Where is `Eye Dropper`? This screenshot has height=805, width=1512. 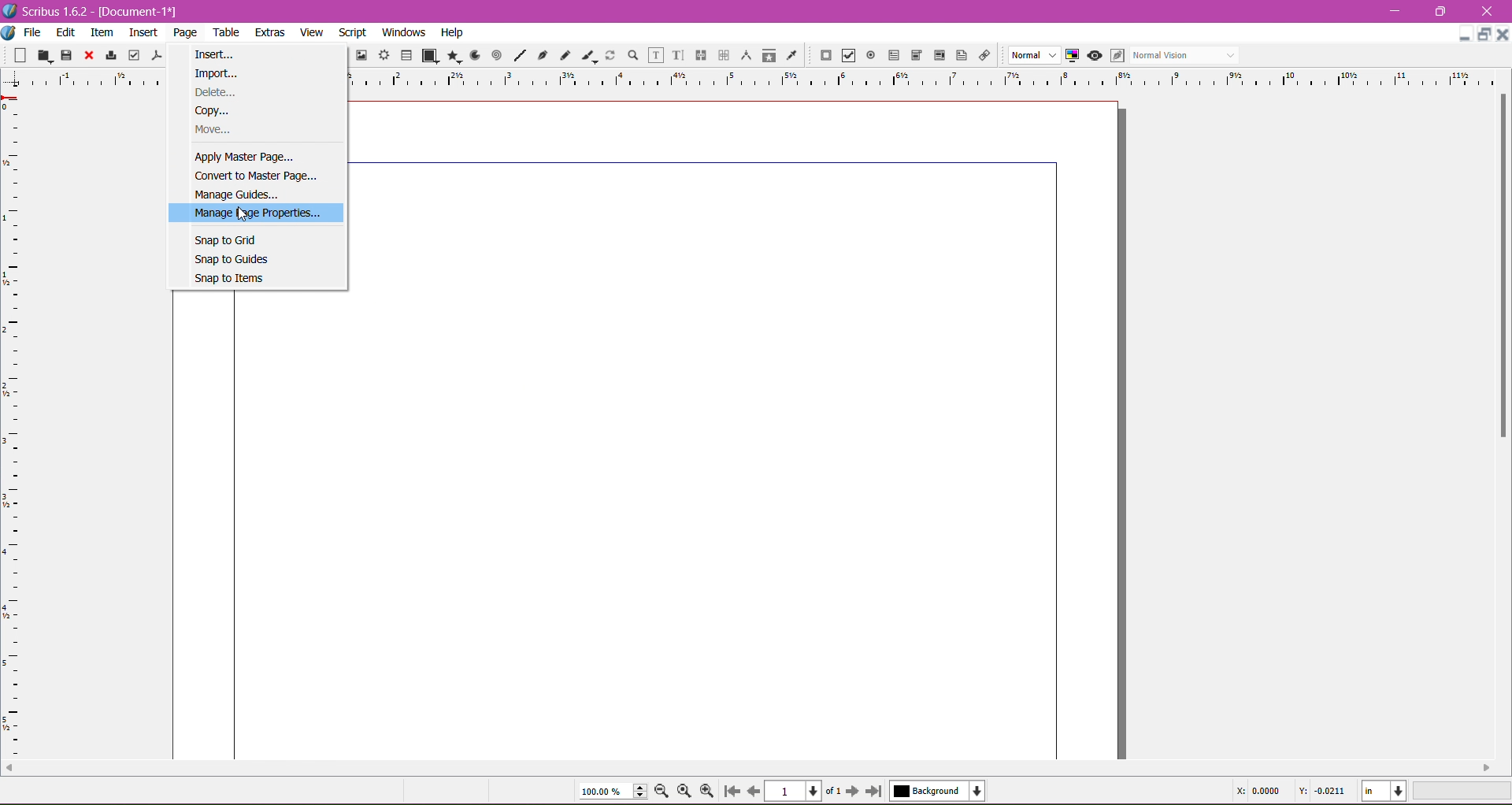
Eye Dropper is located at coordinates (791, 55).